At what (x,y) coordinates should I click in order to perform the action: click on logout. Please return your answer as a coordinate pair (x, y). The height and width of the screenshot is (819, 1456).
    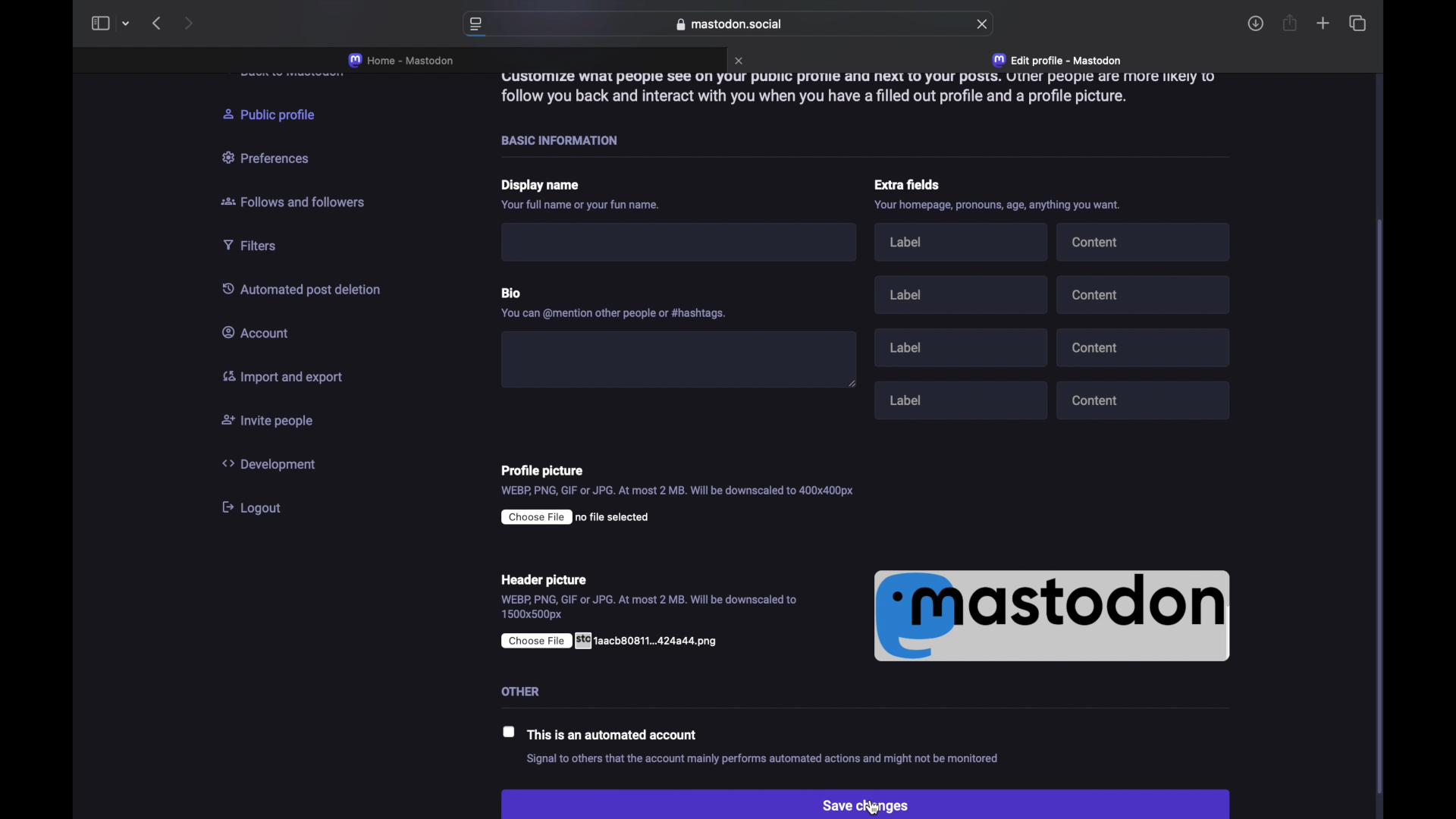
    Looking at the image, I should click on (263, 506).